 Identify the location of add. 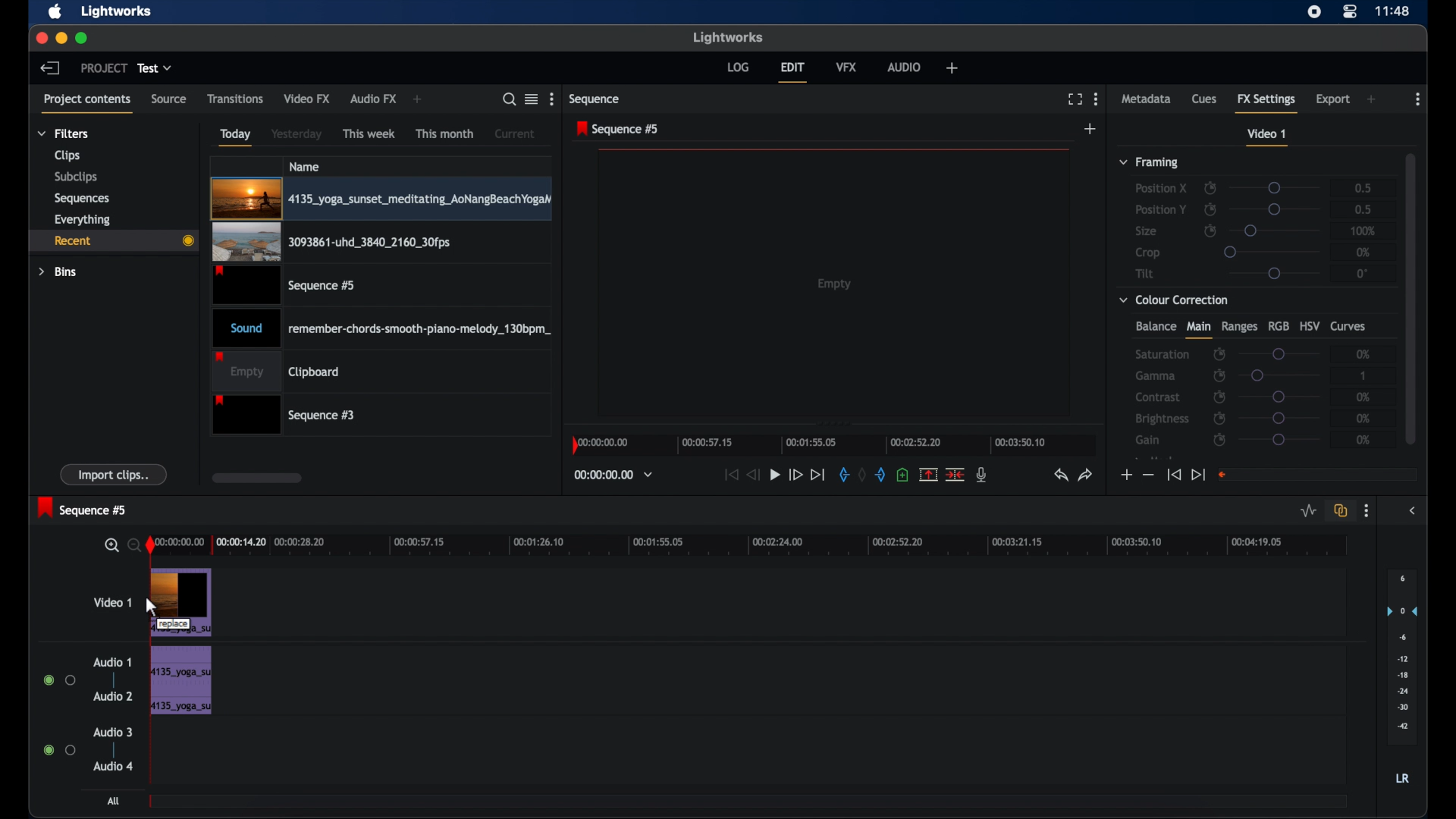
(1373, 99).